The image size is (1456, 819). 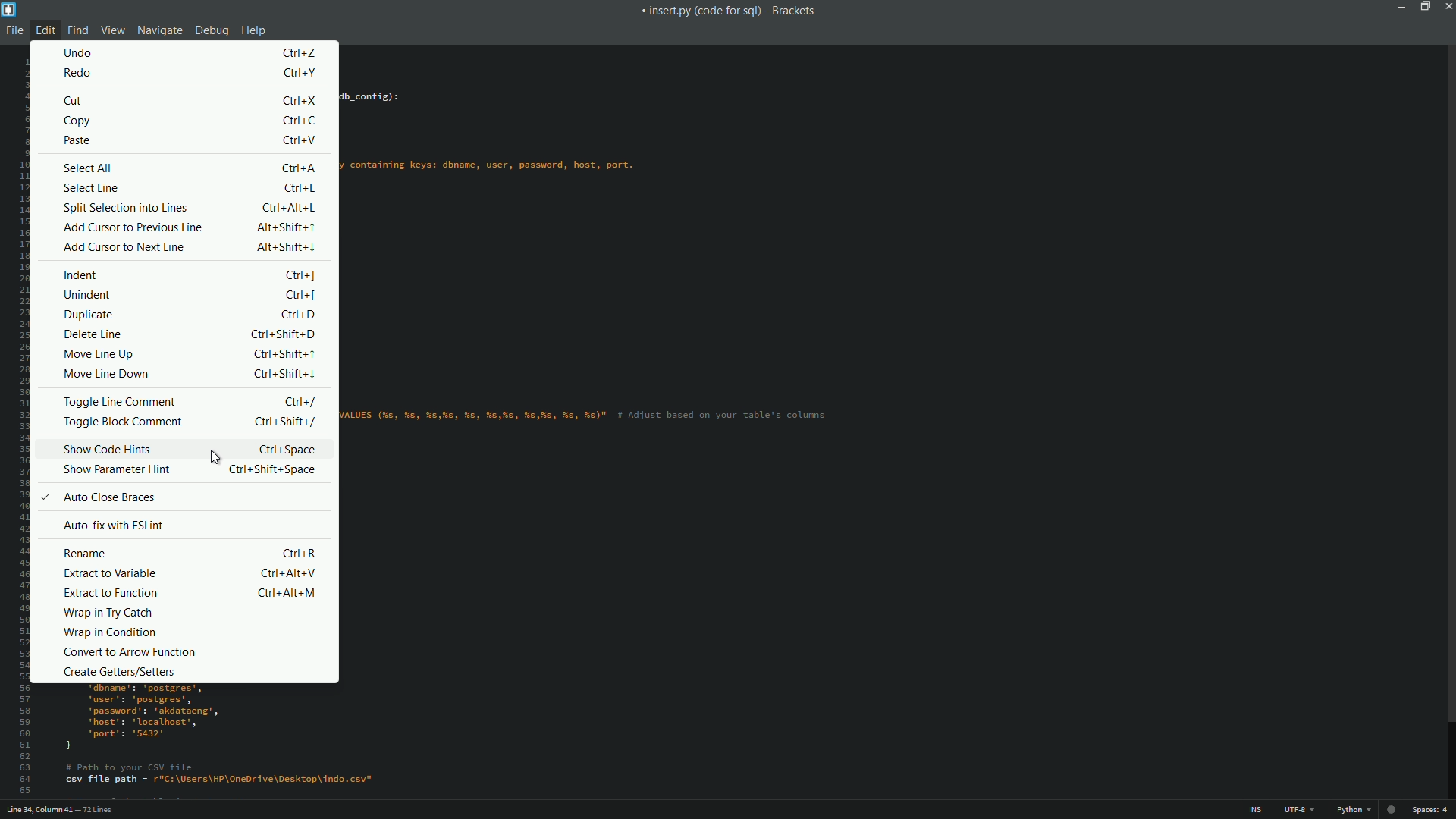 What do you see at coordinates (1257, 811) in the screenshot?
I see `ins` at bounding box center [1257, 811].